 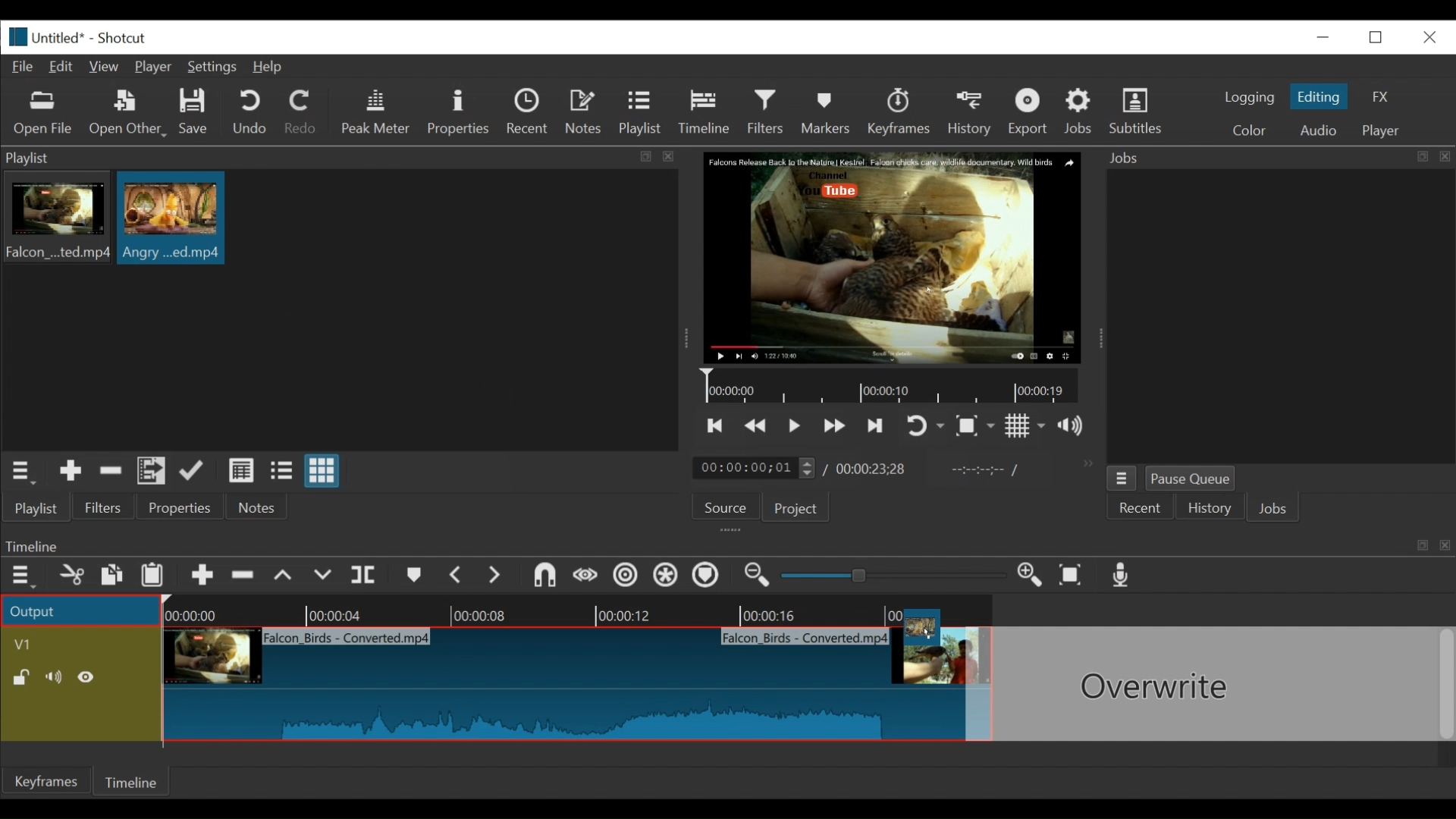 What do you see at coordinates (1380, 36) in the screenshot?
I see `restore` at bounding box center [1380, 36].